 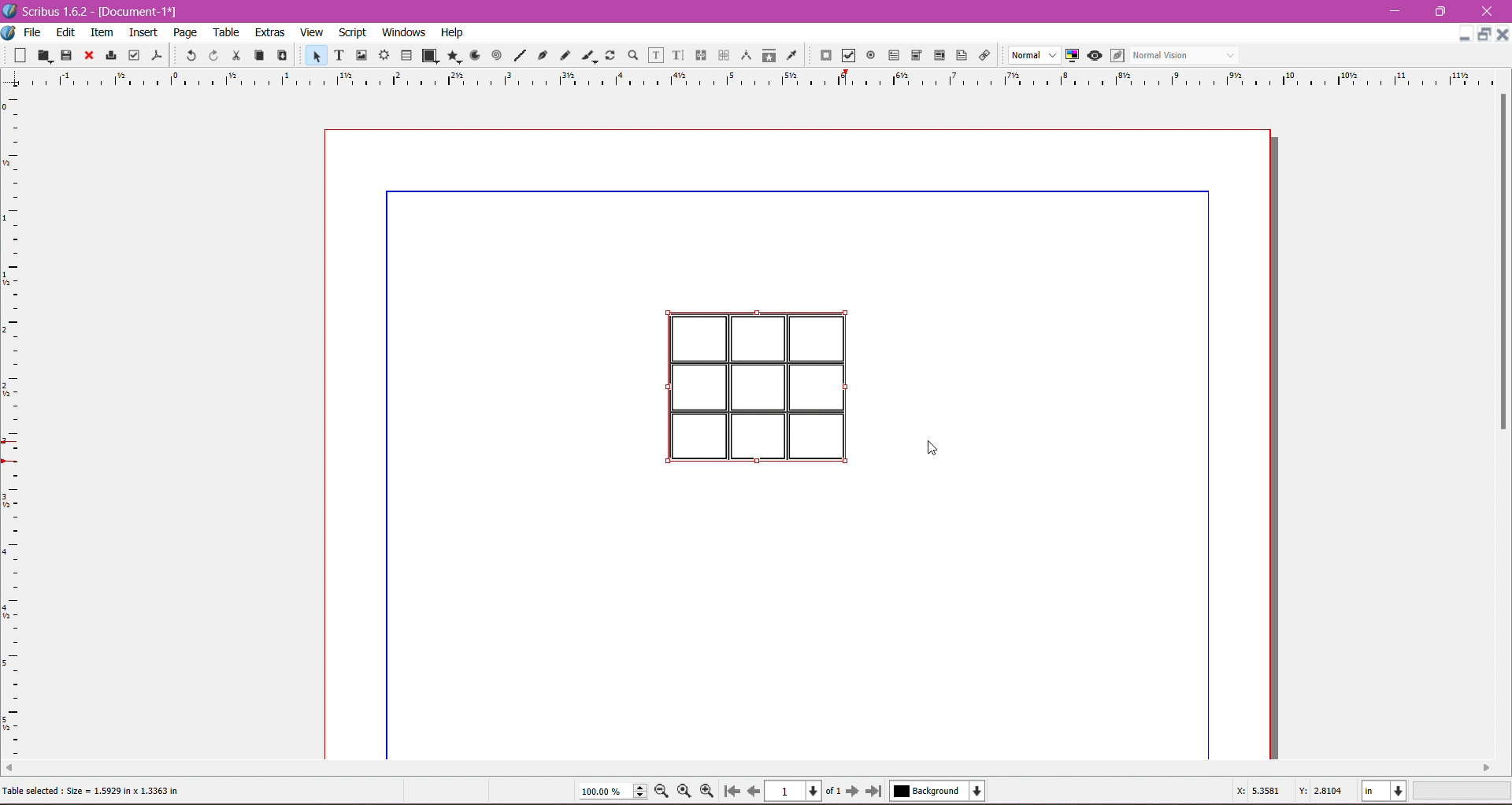 What do you see at coordinates (1441, 11) in the screenshot?
I see `Maximize` at bounding box center [1441, 11].